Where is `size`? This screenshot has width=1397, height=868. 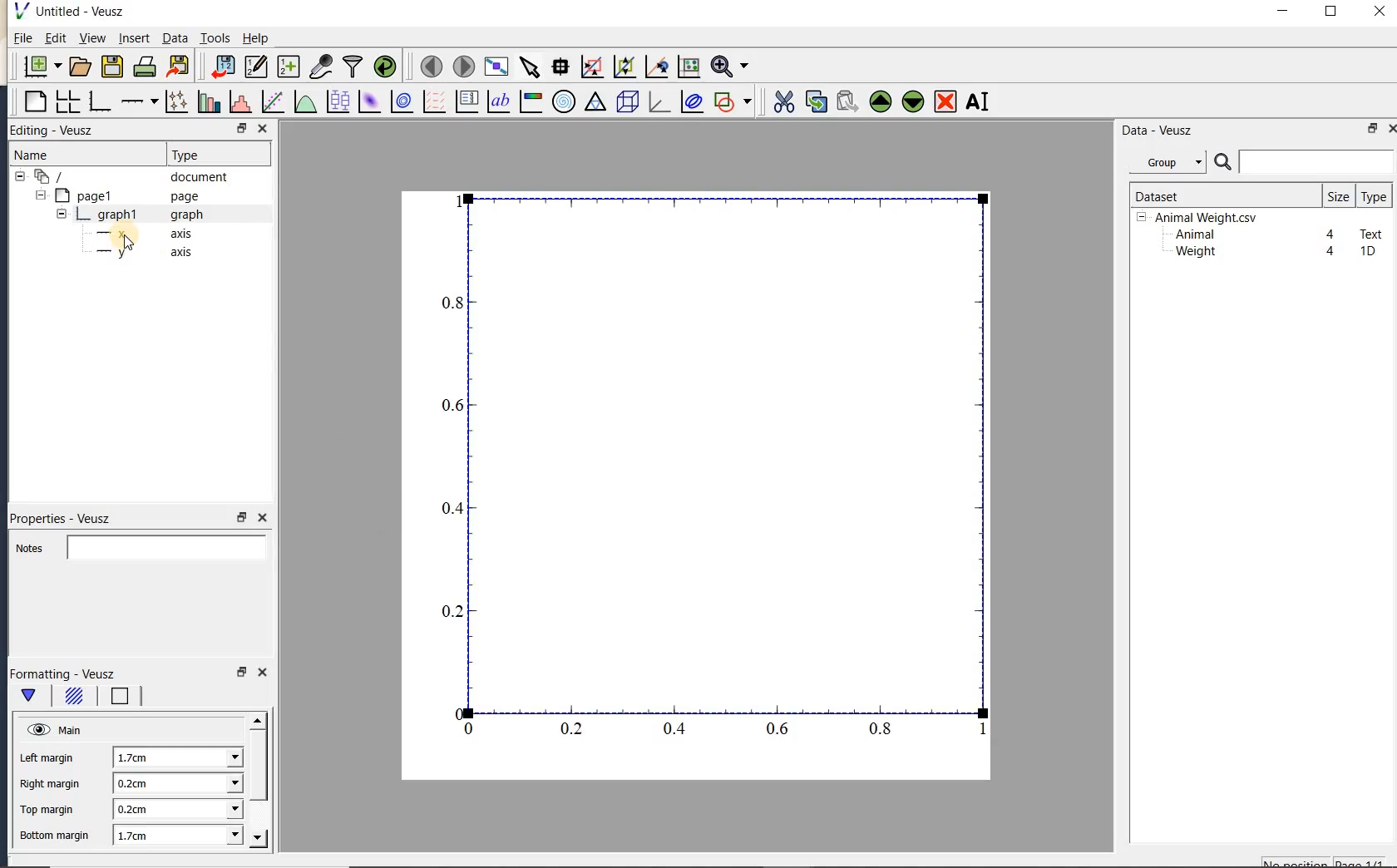 size is located at coordinates (1338, 195).